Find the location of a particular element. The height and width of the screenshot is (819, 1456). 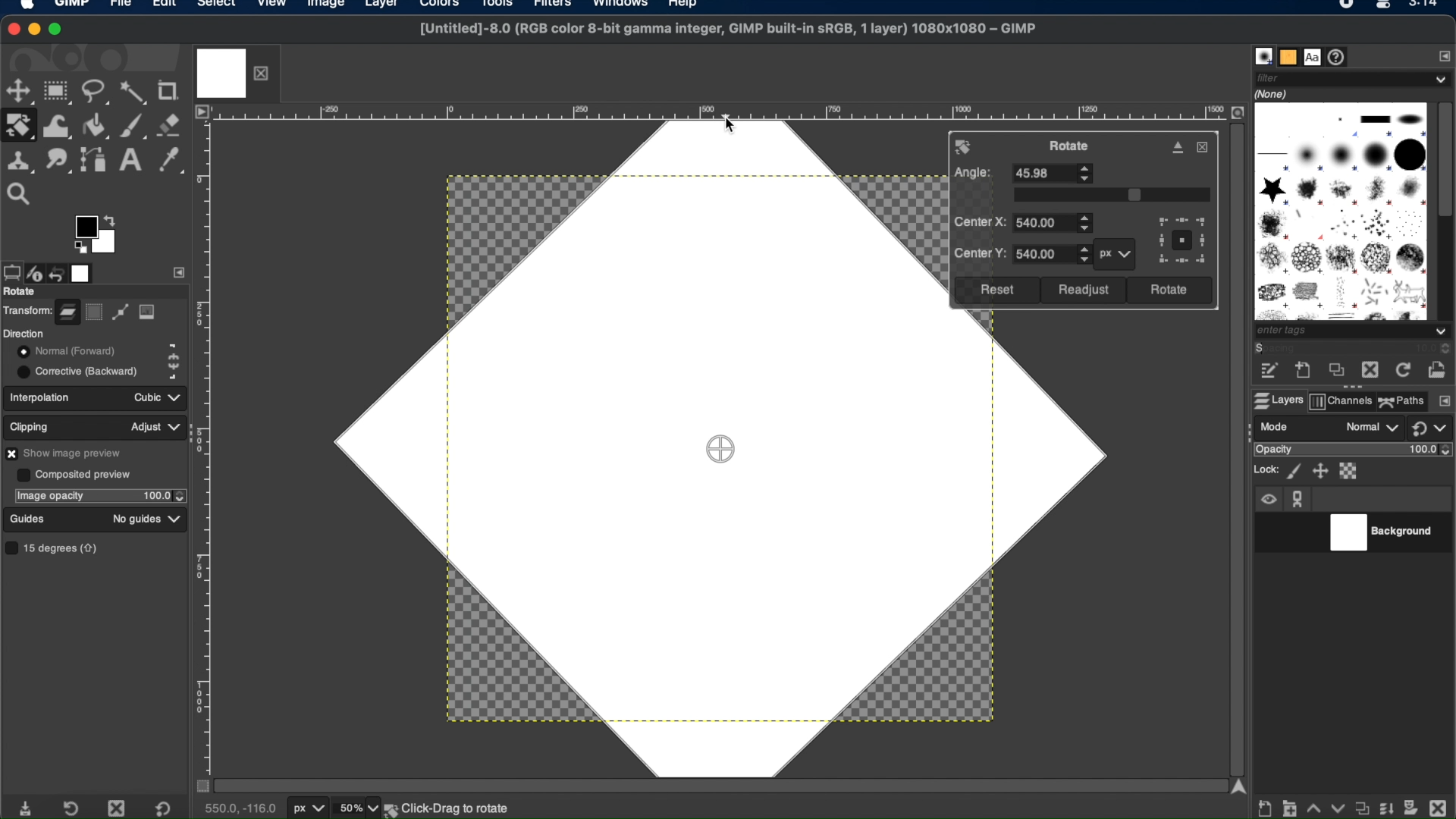

create a new brush is located at coordinates (1304, 372).